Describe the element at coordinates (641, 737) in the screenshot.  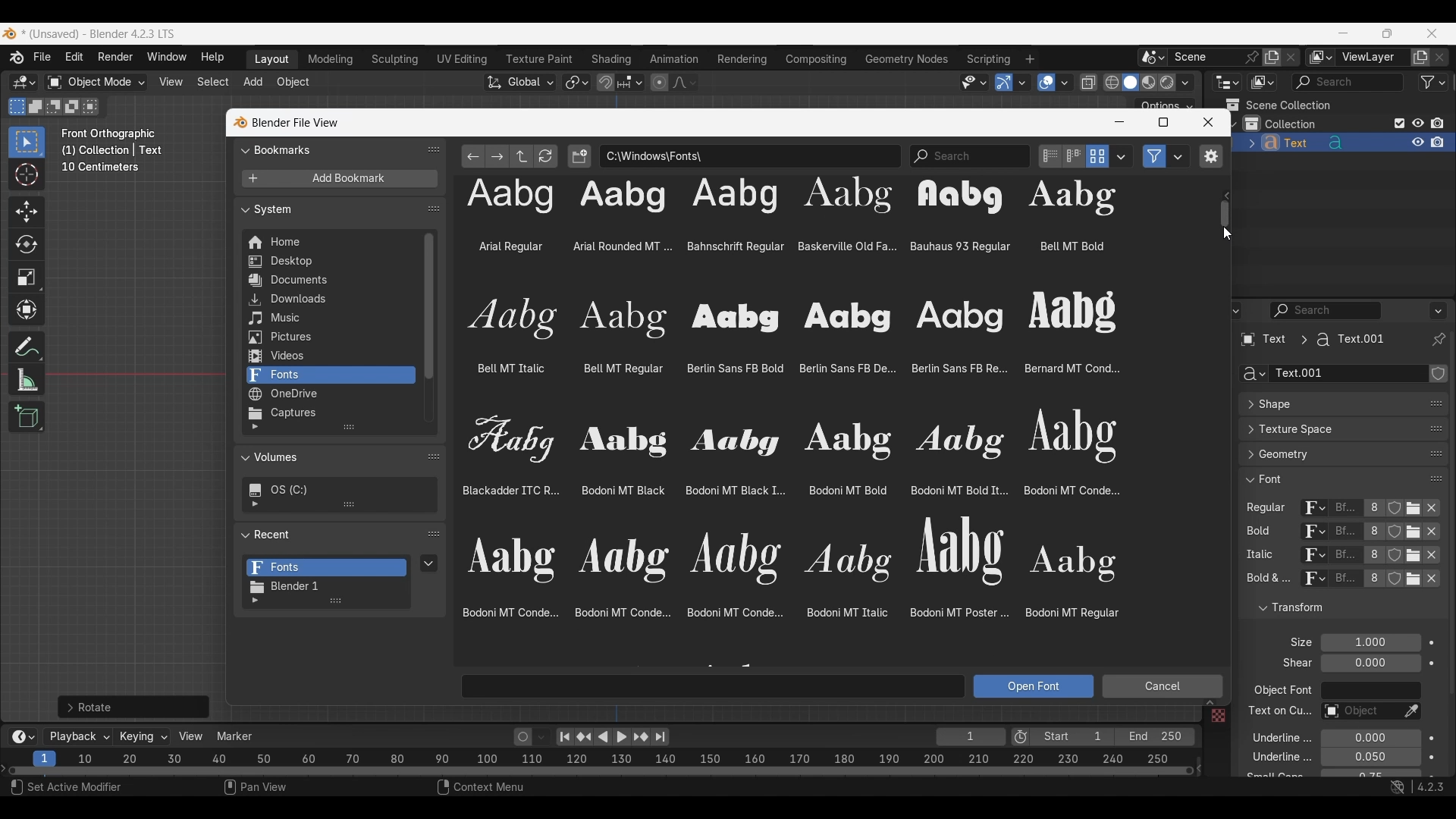
I see `Jump to key frame` at that location.